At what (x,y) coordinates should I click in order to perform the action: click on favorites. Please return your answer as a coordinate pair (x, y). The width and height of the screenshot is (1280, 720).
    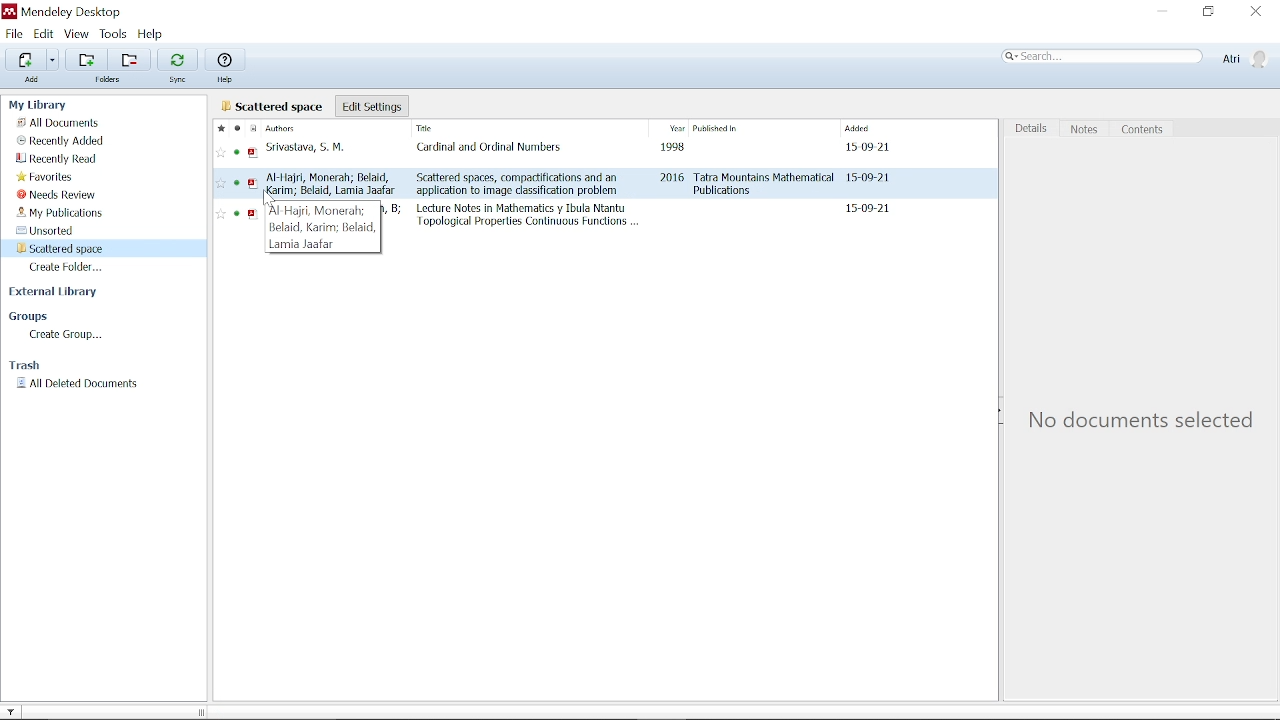
    Looking at the image, I should click on (46, 178).